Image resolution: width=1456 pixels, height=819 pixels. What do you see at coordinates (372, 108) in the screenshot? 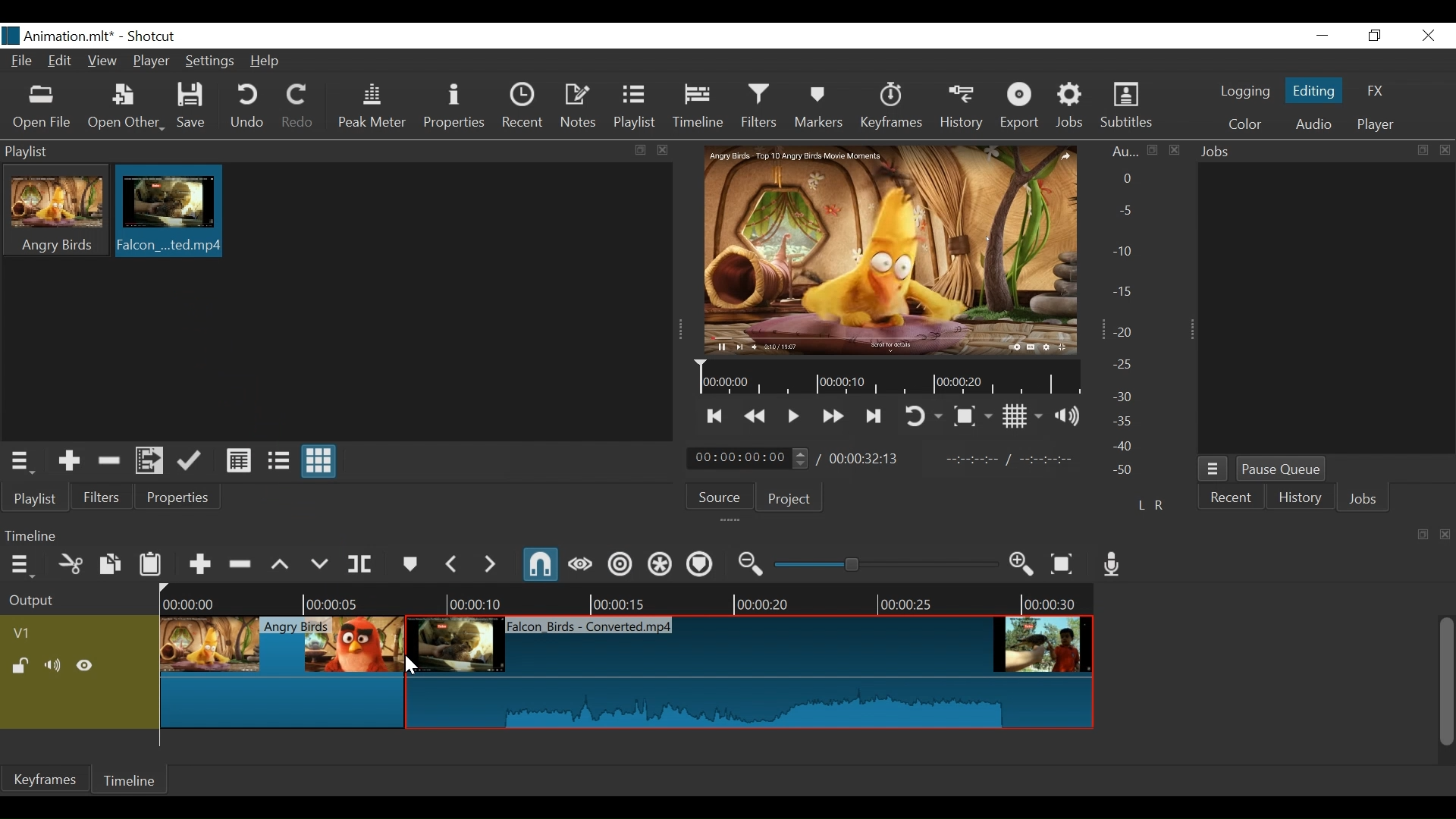
I see `Peak Meter` at bounding box center [372, 108].